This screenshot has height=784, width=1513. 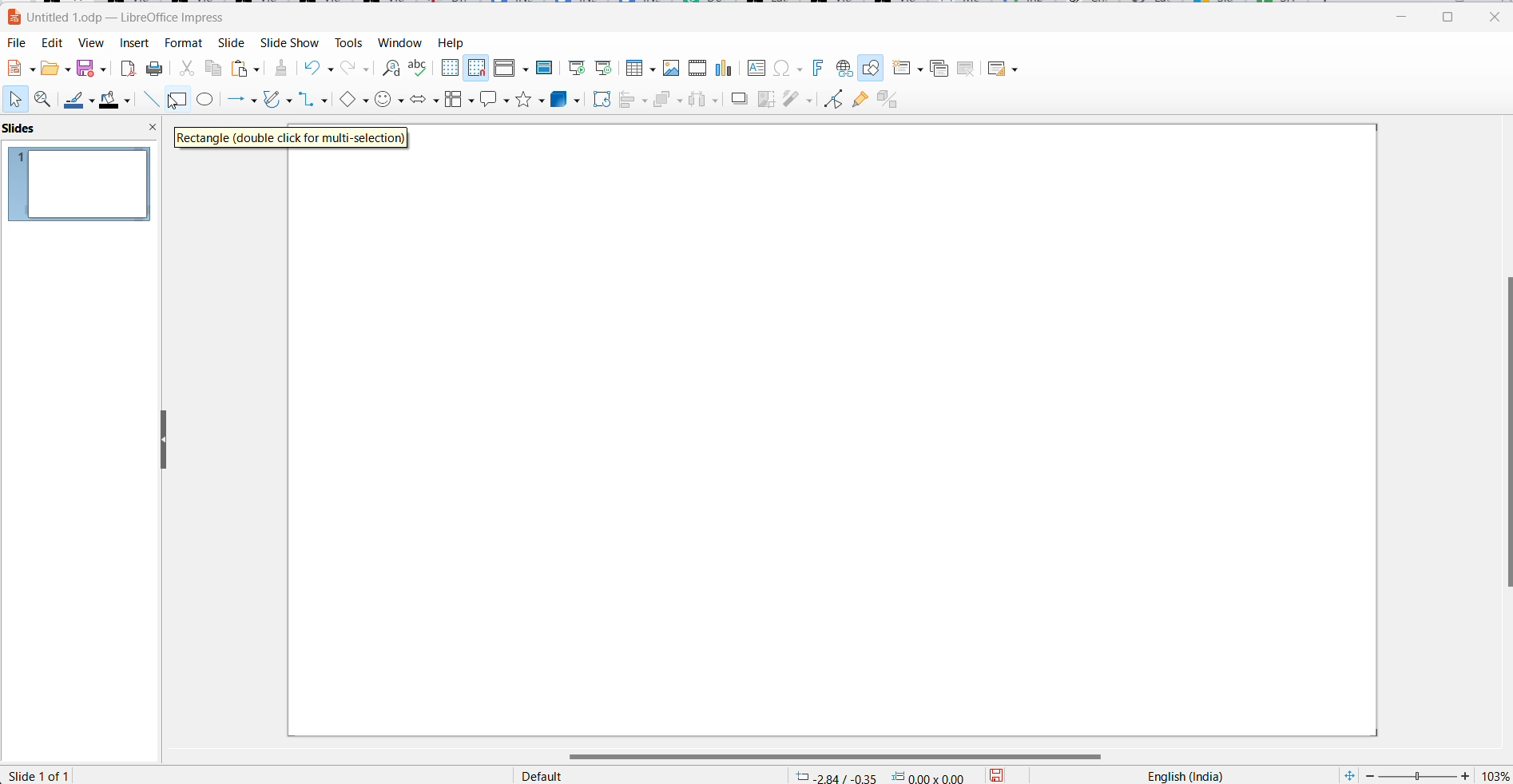 What do you see at coordinates (390, 101) in the screenshot?
I see `symbol` at bounding box center [390, 101].